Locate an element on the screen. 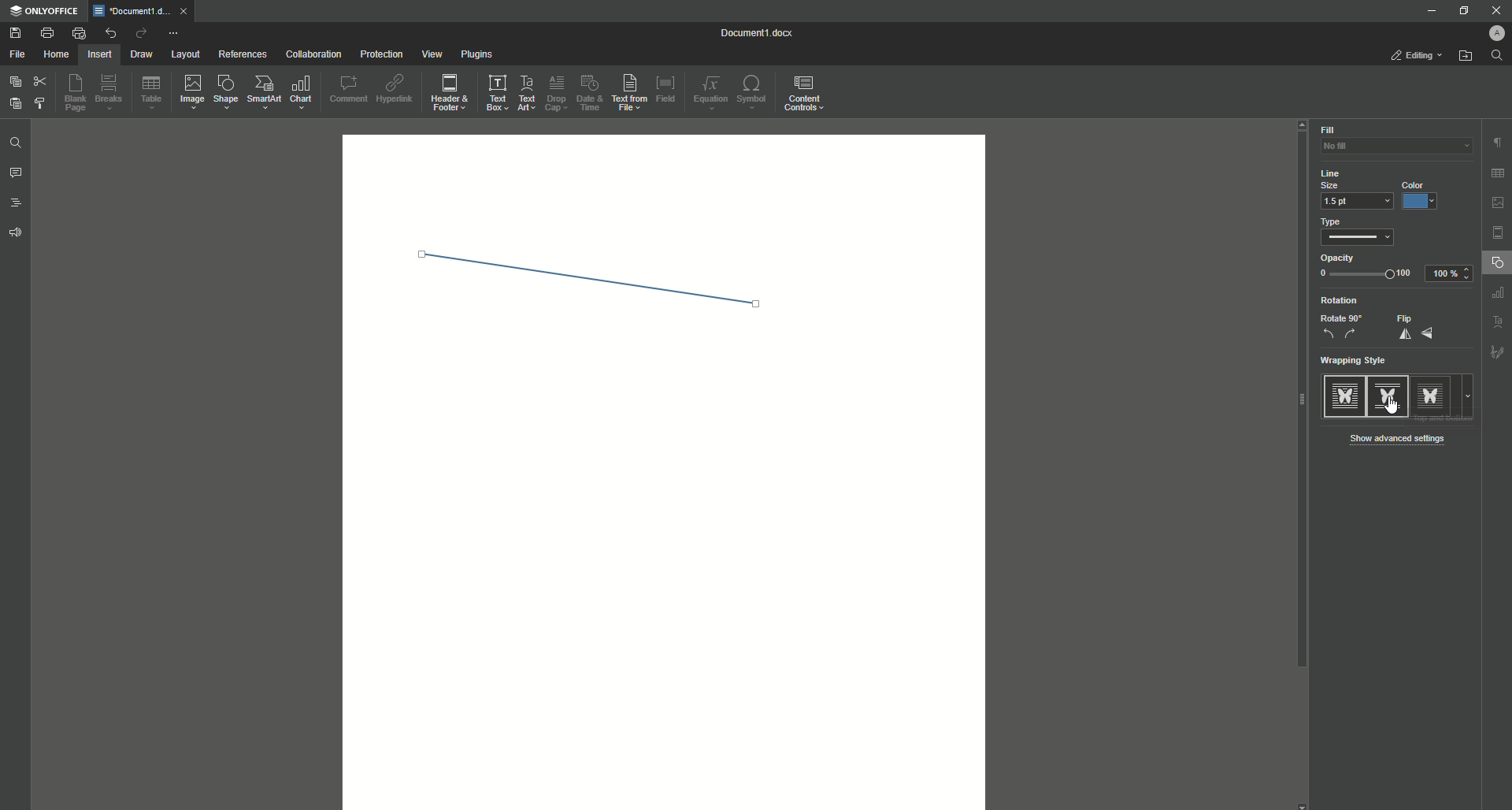 The image size is (1512, 810).  is located at coordinates (1497, 354).